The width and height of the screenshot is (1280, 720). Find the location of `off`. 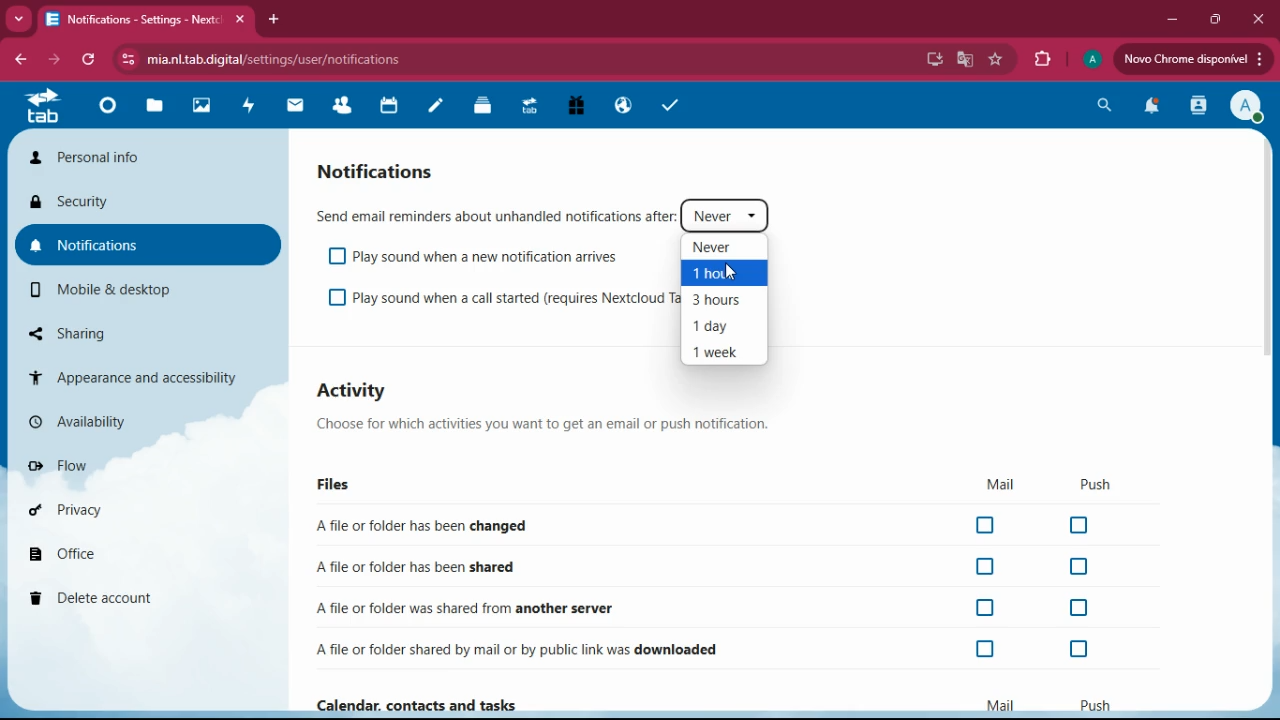

off is located at coordinates (1078, 607).